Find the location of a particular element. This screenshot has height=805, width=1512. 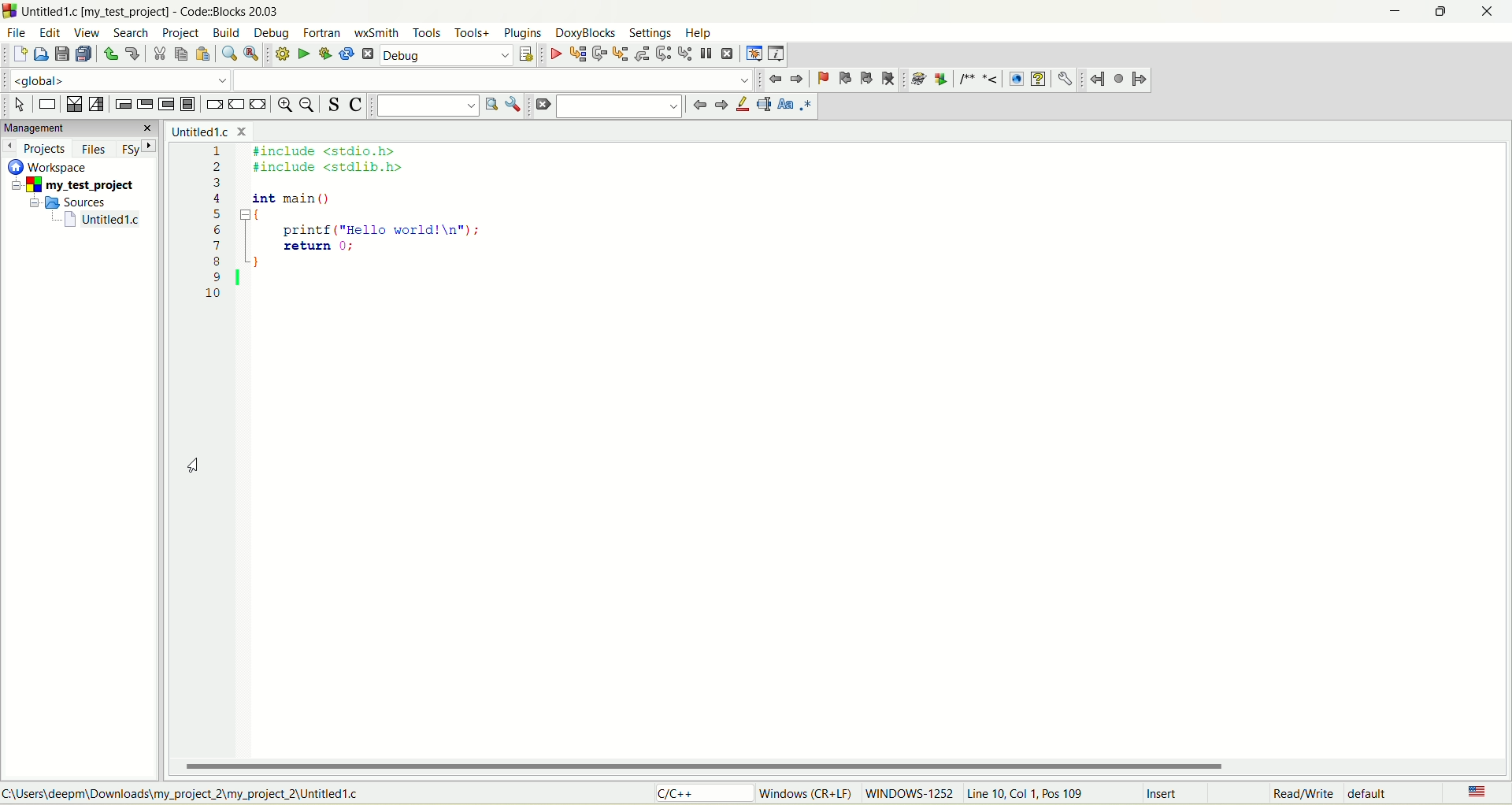

selected text is located at coordinates (766, 106).